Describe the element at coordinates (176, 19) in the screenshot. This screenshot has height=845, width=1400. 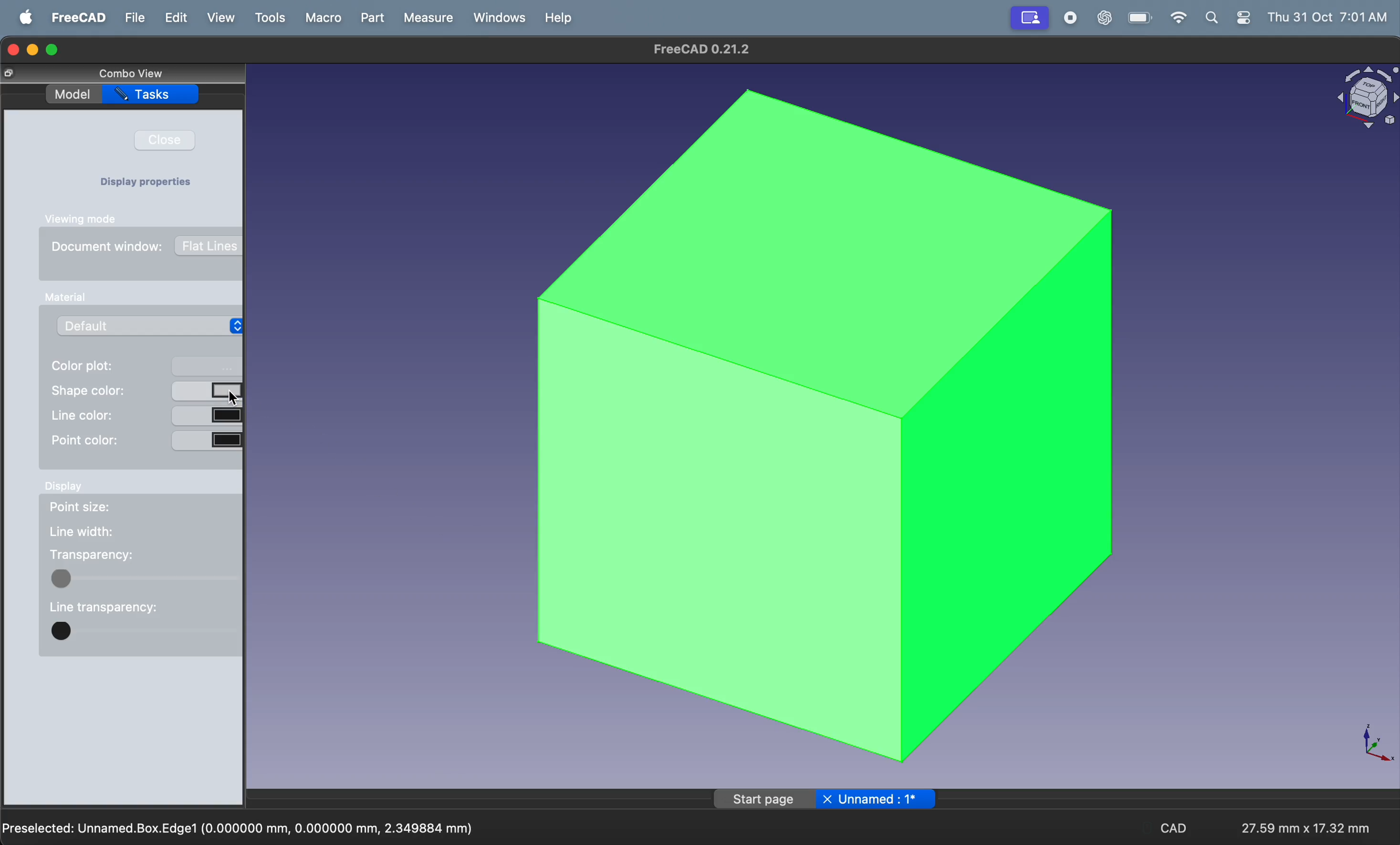
I see `edit` at that location.